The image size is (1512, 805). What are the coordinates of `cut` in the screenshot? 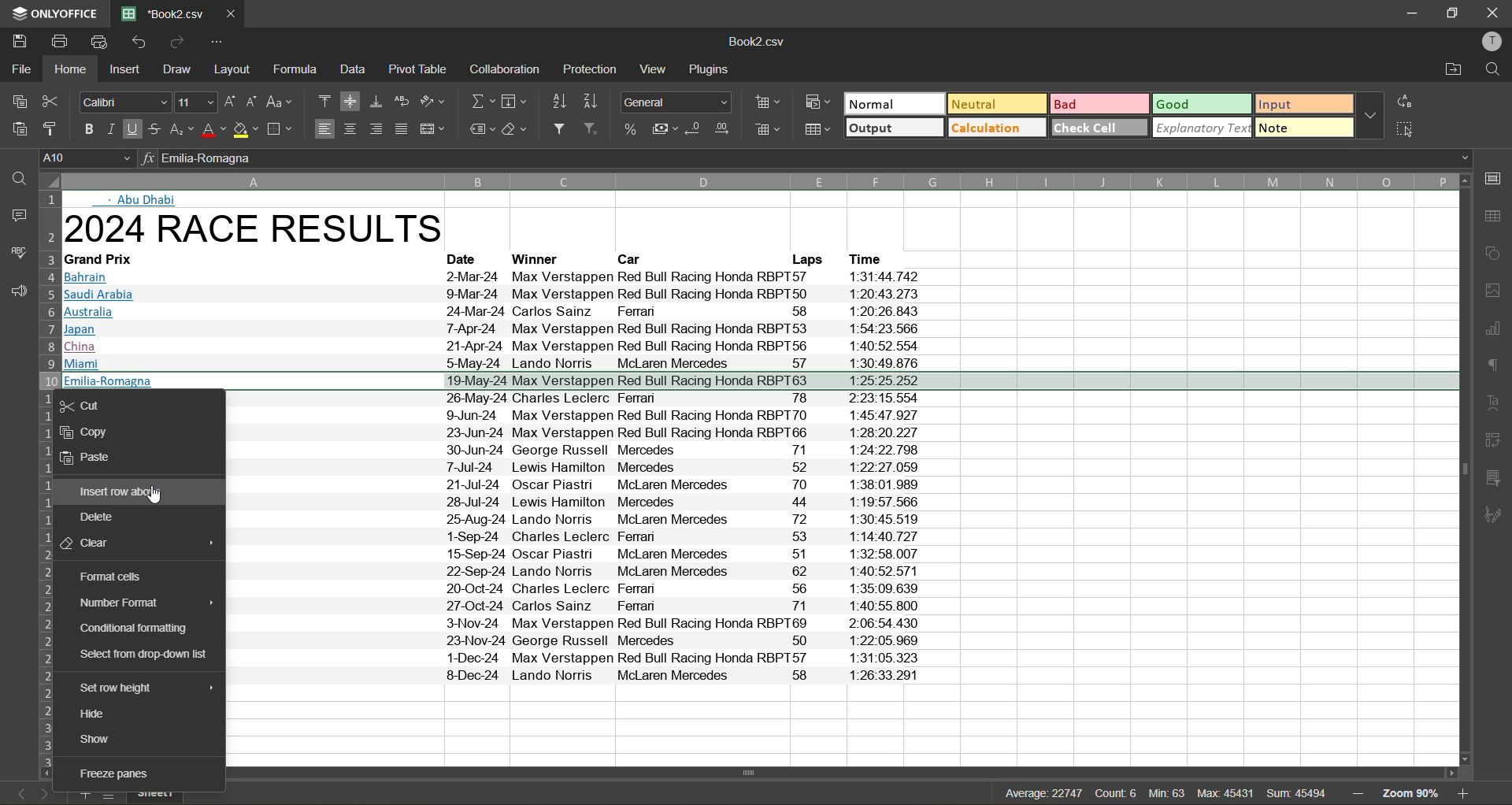 It's located at (54, 101).